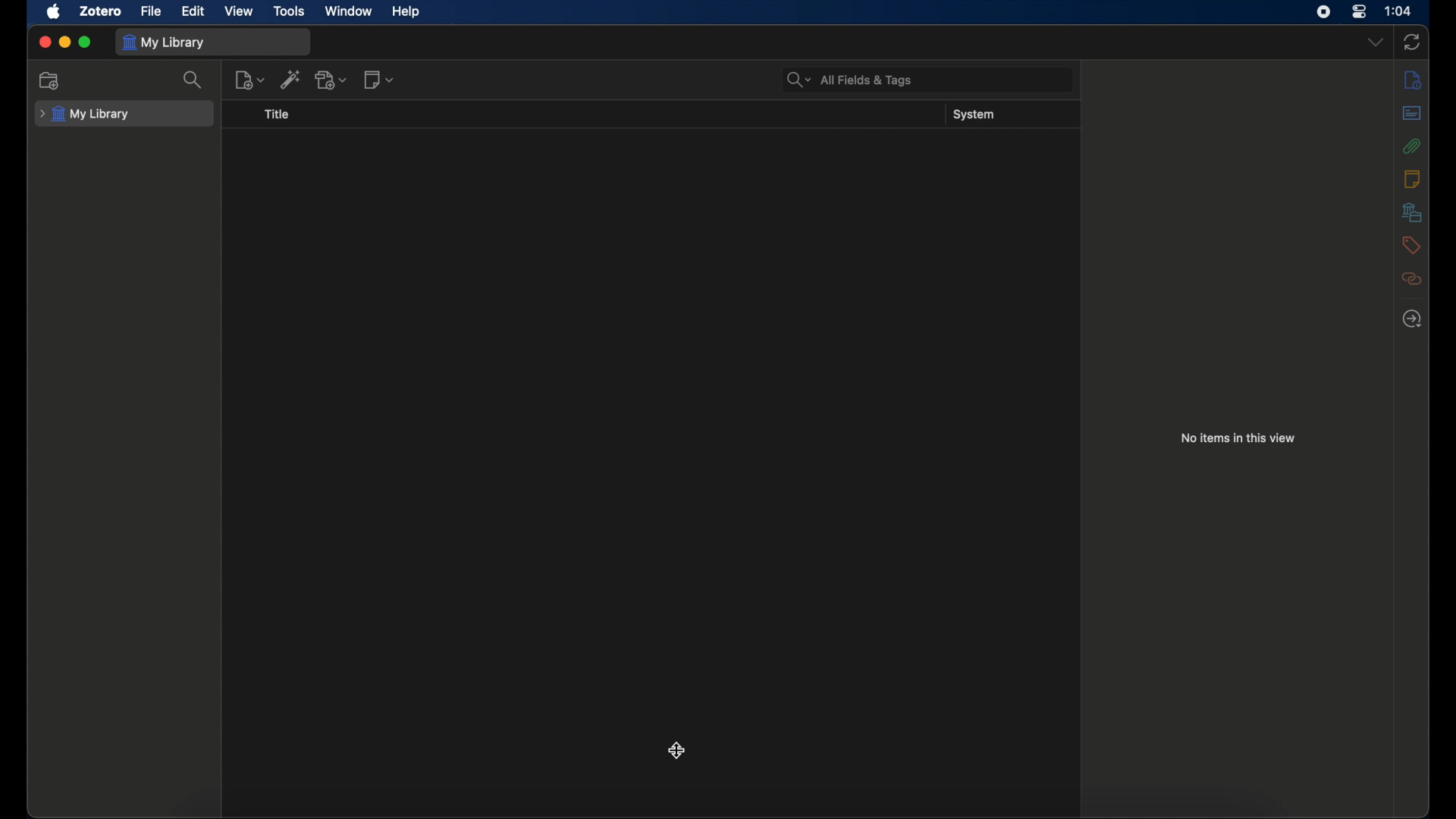 This screenshot has width=1456, height=819. Describe the element at coordinates (1412, 246) in the screenshot. I see `tags` at that location.